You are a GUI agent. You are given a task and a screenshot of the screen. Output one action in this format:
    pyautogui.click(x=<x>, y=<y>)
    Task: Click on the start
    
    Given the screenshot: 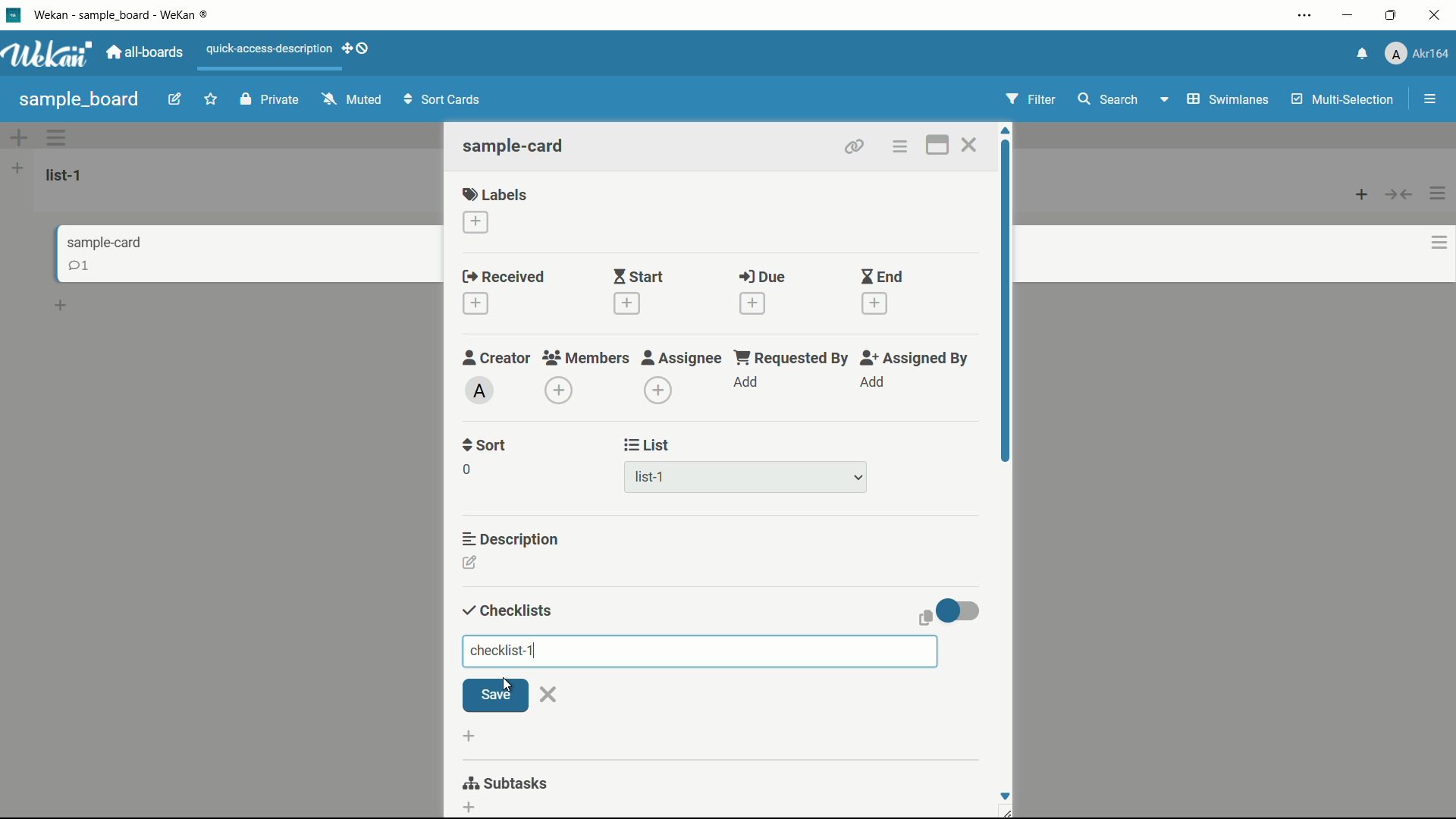 What is the action you would take?
    pyautogui.click(x=640, y=277)
    